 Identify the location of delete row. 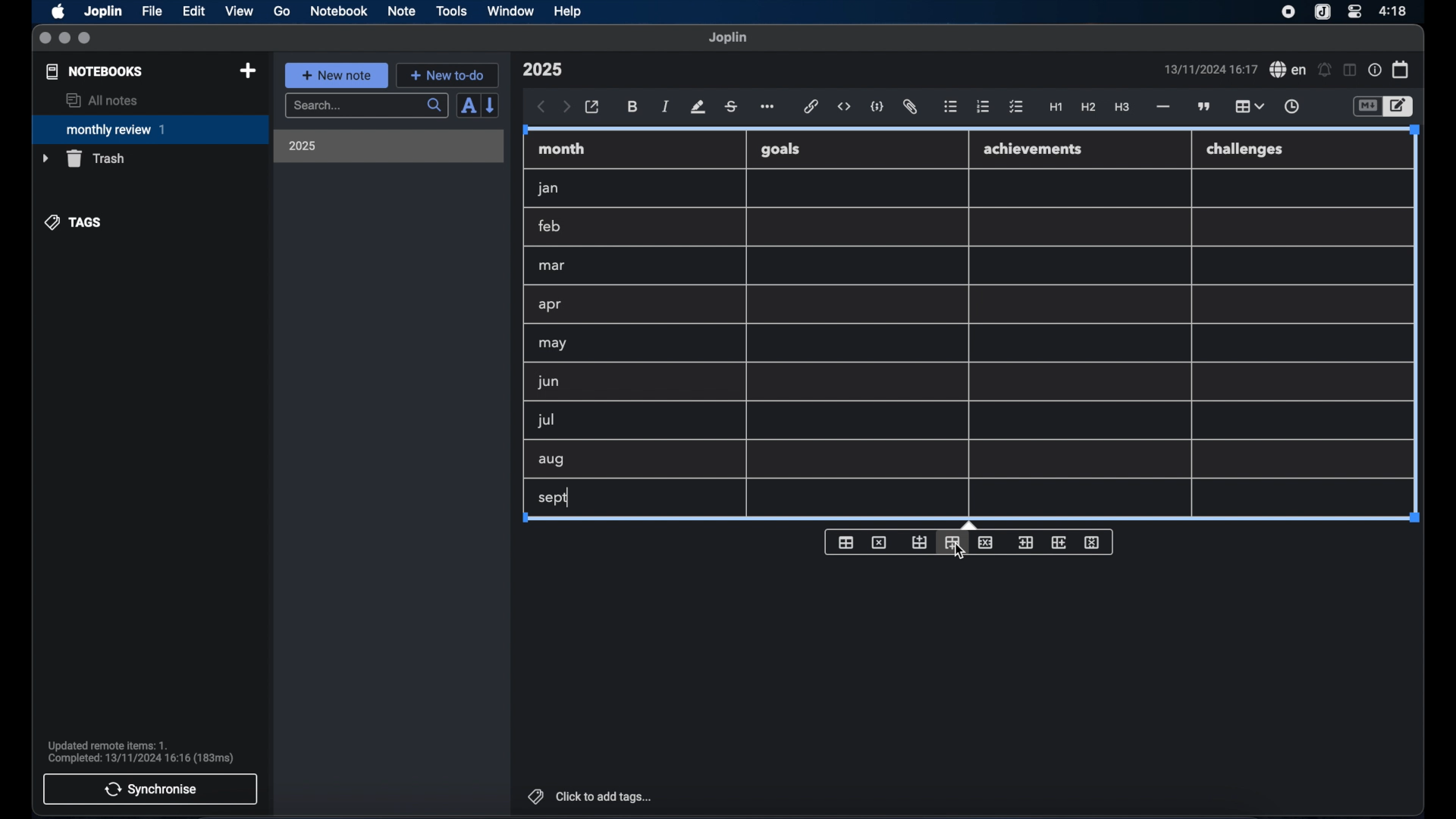
(987, 541).